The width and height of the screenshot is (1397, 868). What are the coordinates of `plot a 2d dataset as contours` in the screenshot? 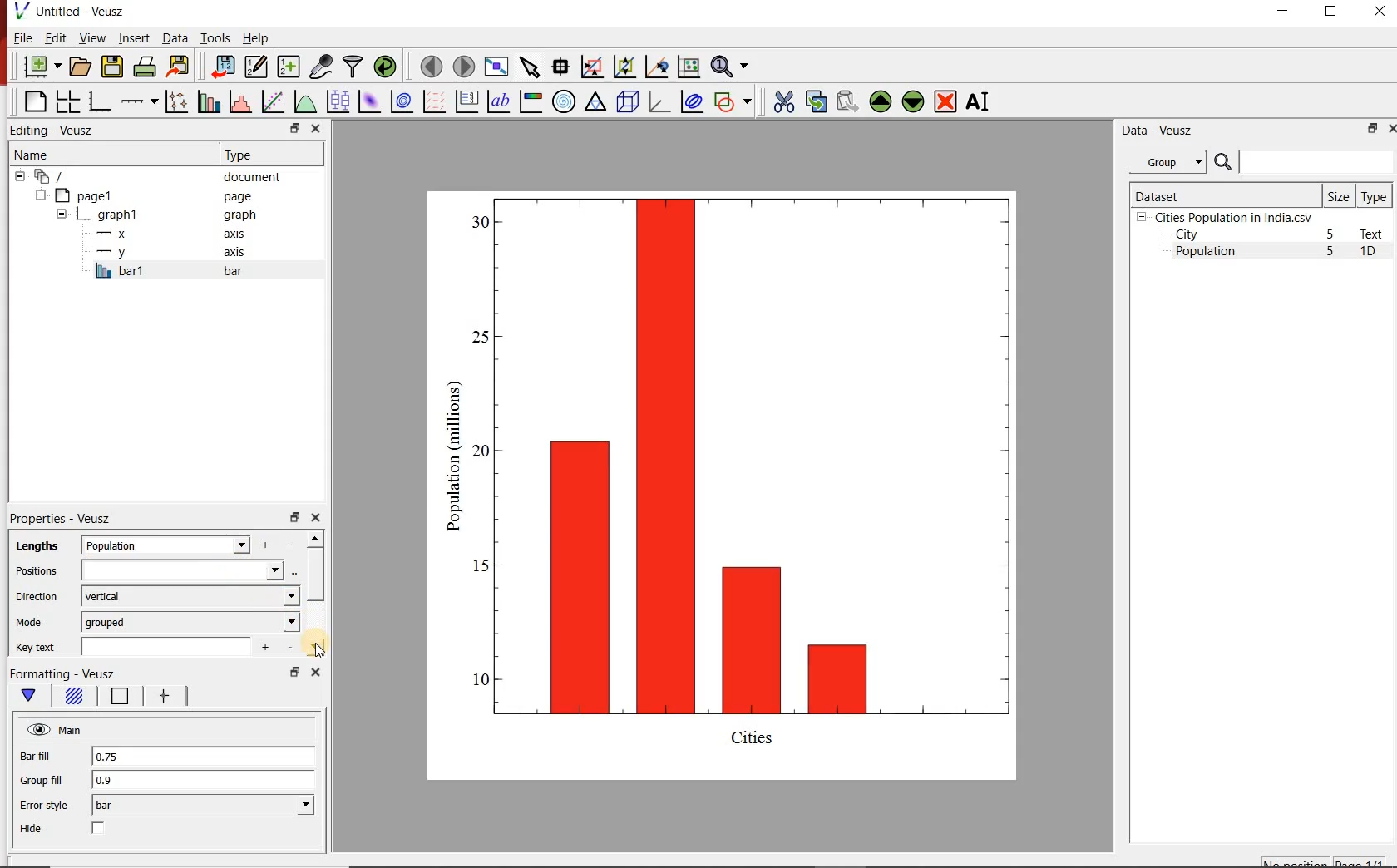 It's located at (400, 101).